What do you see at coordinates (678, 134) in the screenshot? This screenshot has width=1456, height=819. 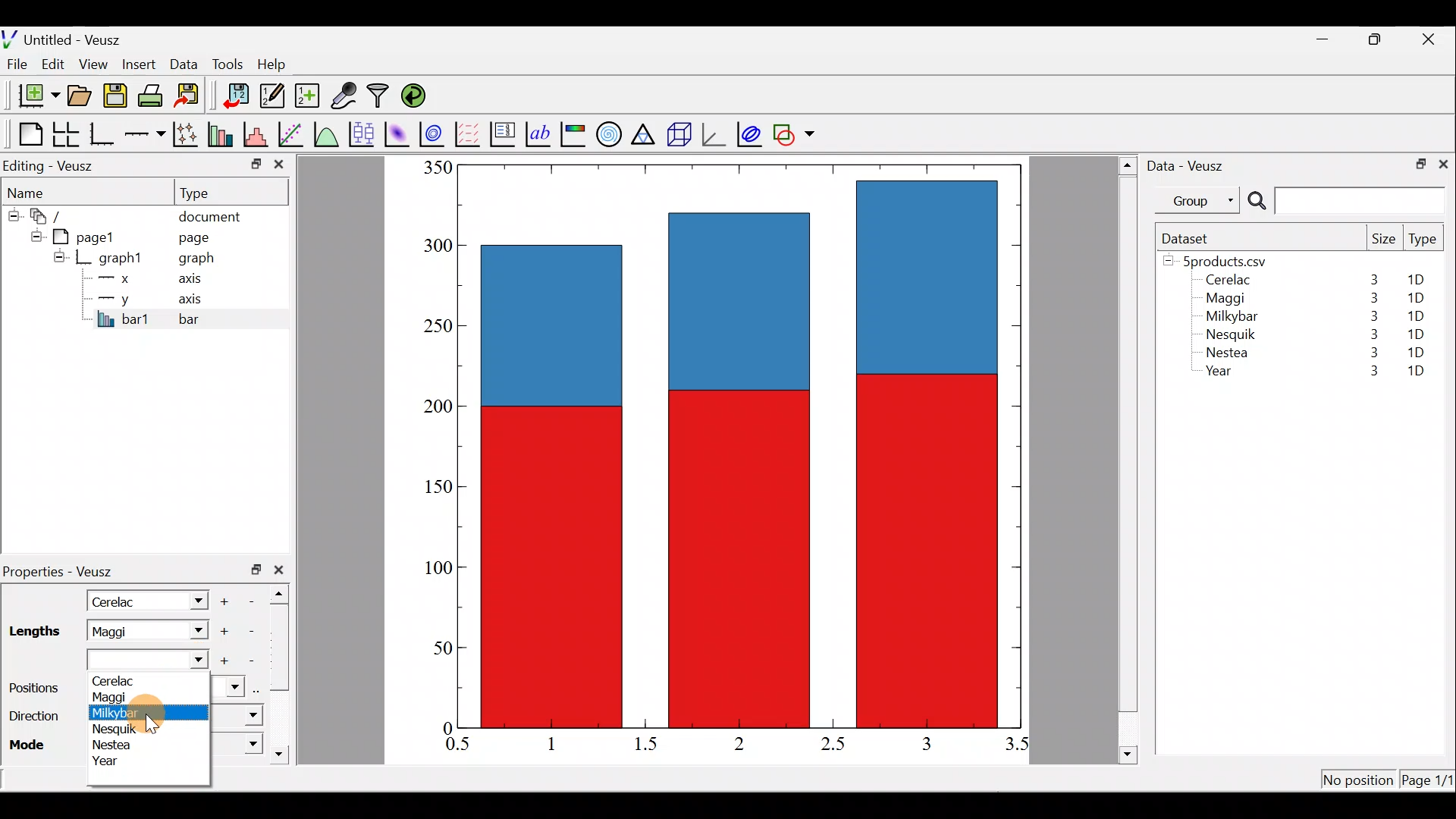 I see `3d scene` at bounding box center [678, 134].